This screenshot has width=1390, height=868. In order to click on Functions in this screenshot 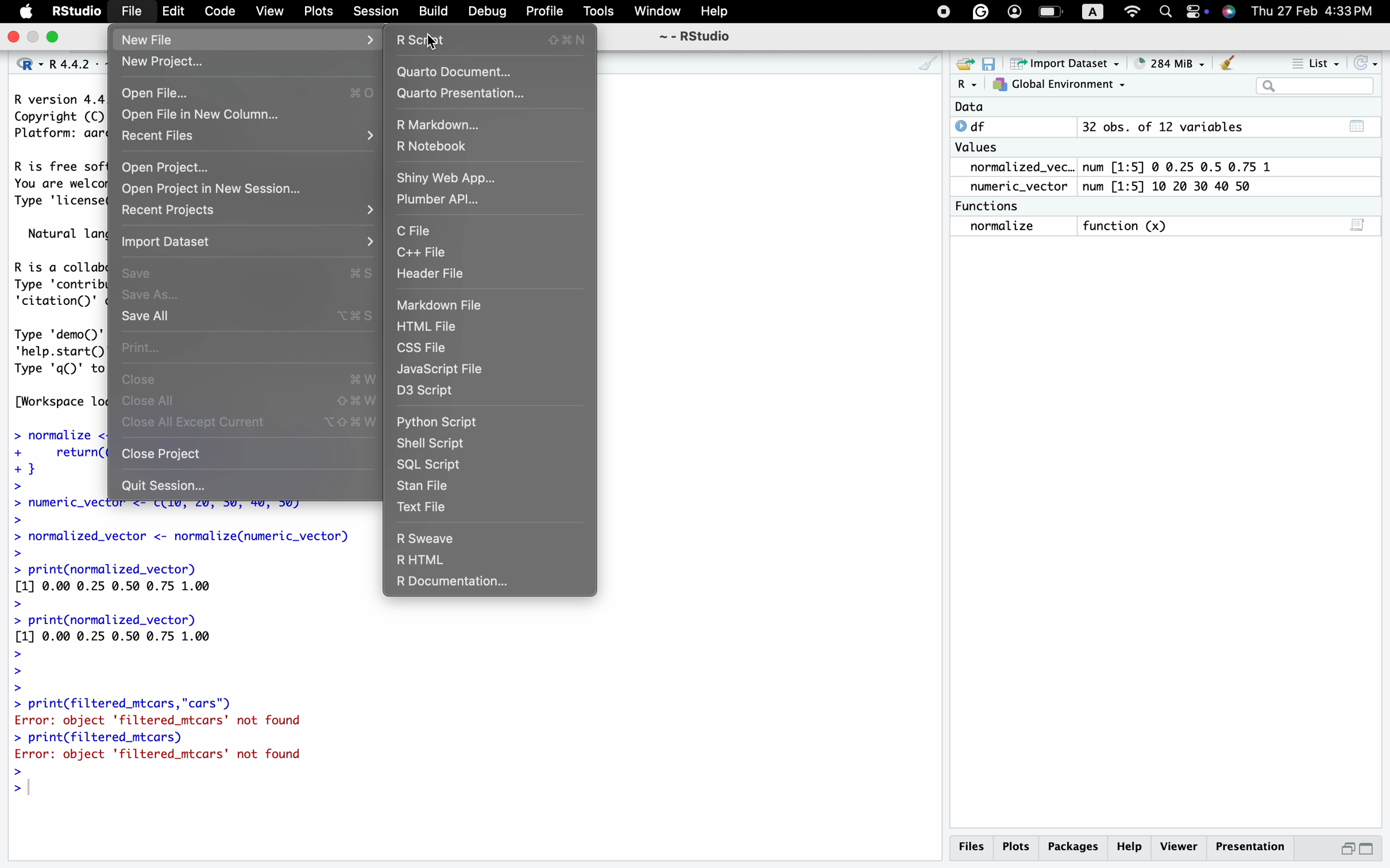, I will do `click(991, 205)`.